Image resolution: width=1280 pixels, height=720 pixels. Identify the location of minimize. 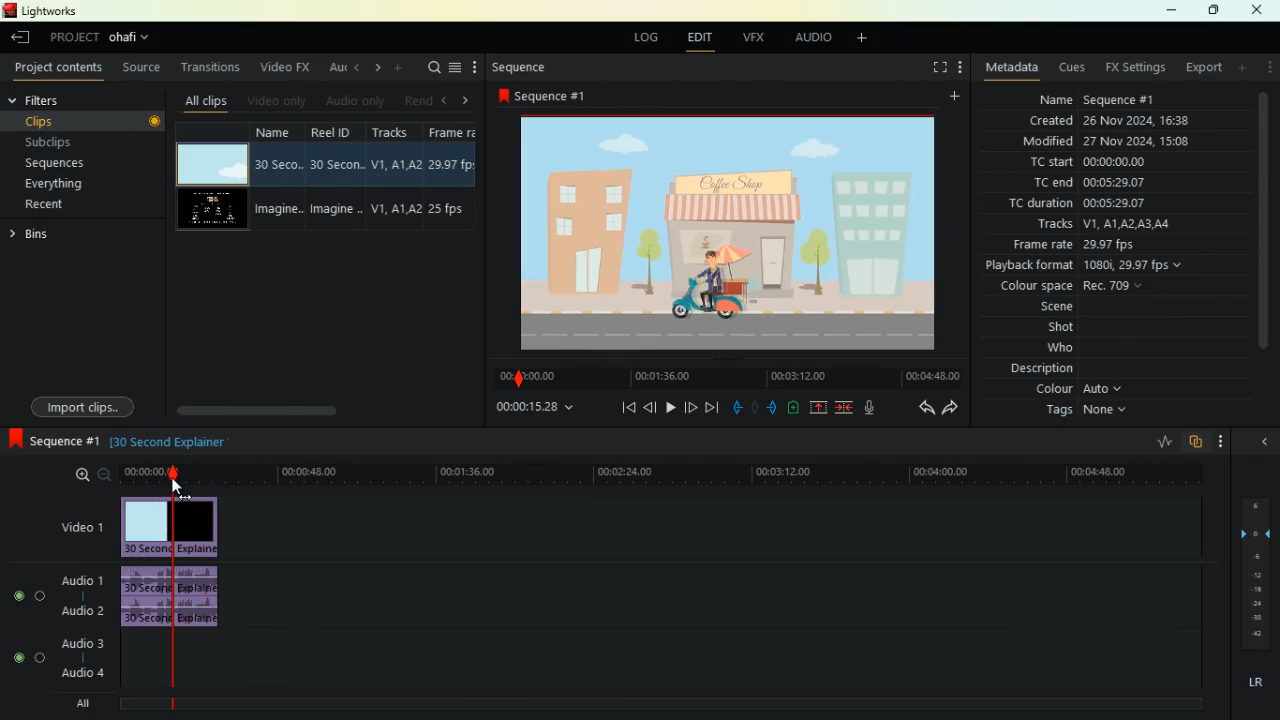
(1174, 11).